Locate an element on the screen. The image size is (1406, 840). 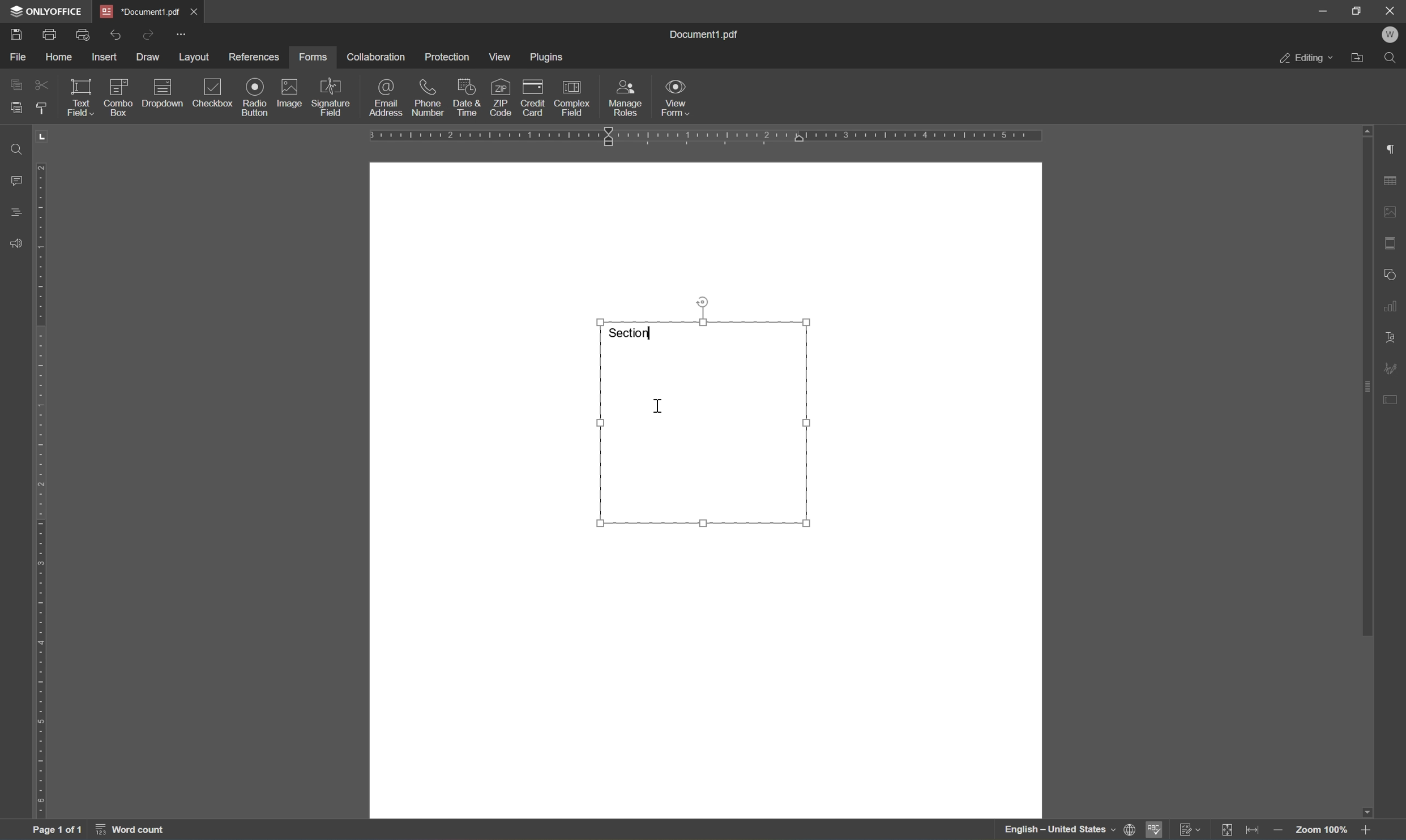
restore down is located at coordinates (1358, 11).